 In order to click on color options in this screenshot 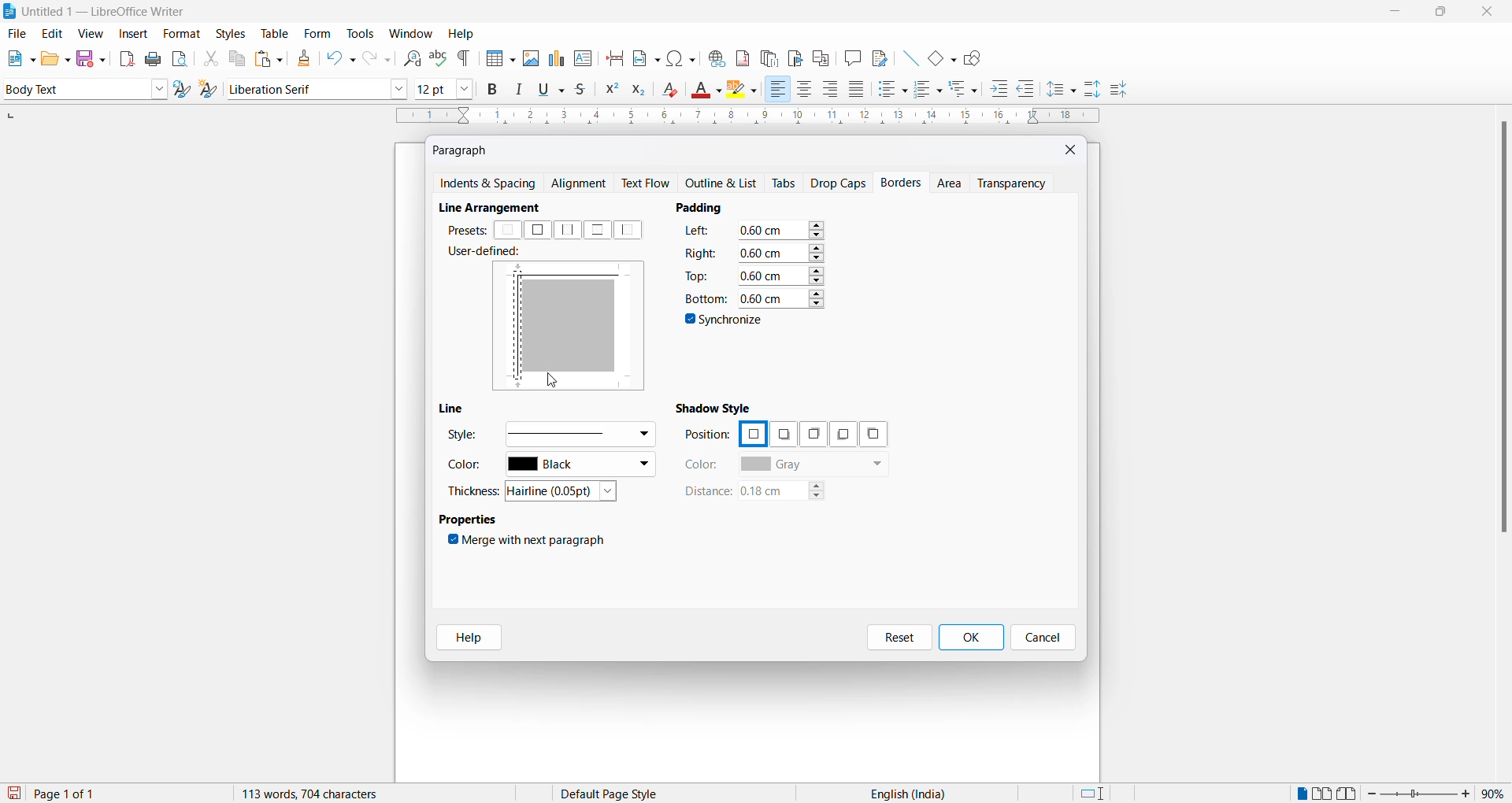, I will do `click(813, 465)`.